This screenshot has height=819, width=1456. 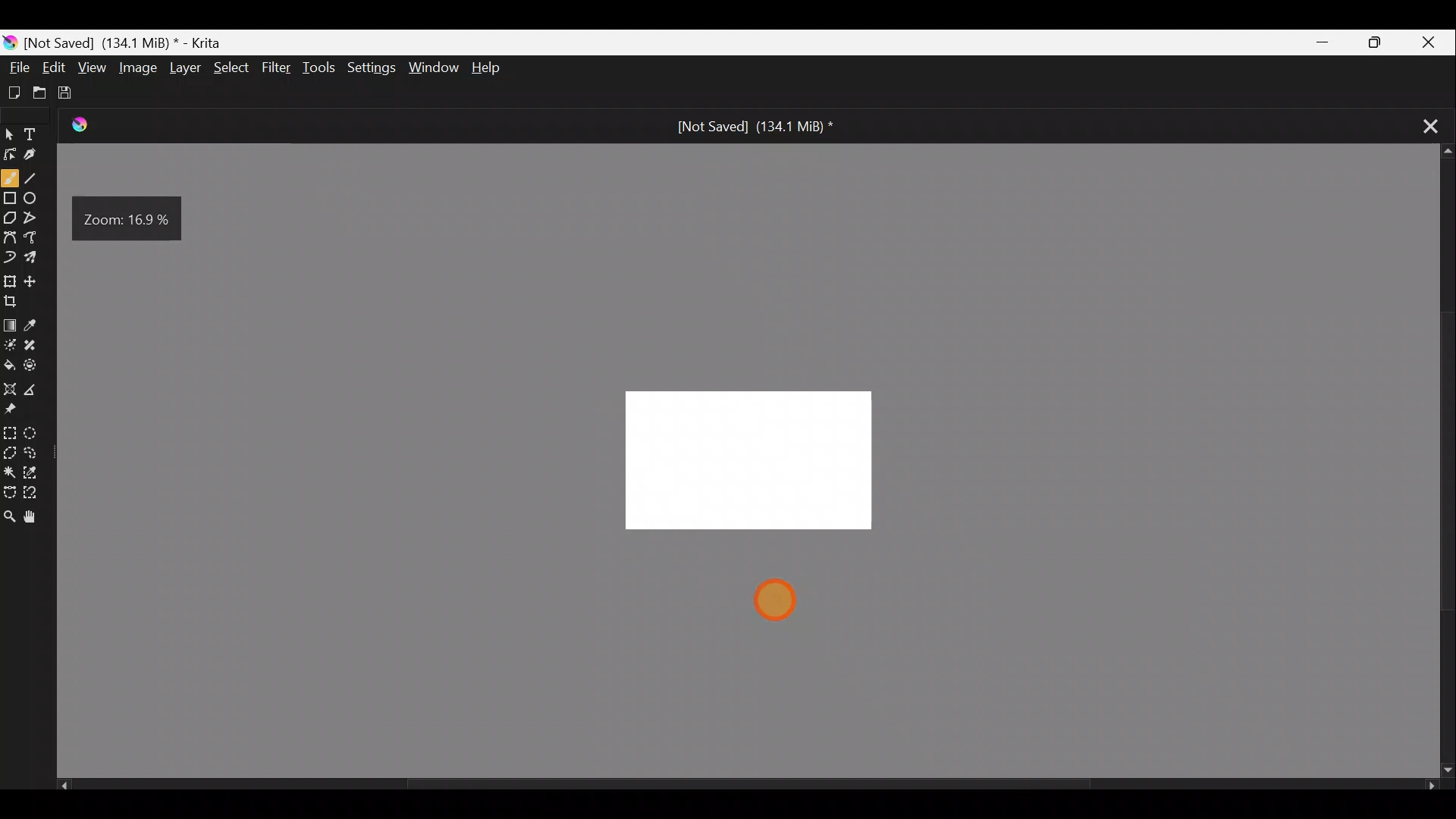 What do you see at coordinates (9, 489) in the screenshot?
I see `Bezier curve selection tool` at bounding box center [9, 489].